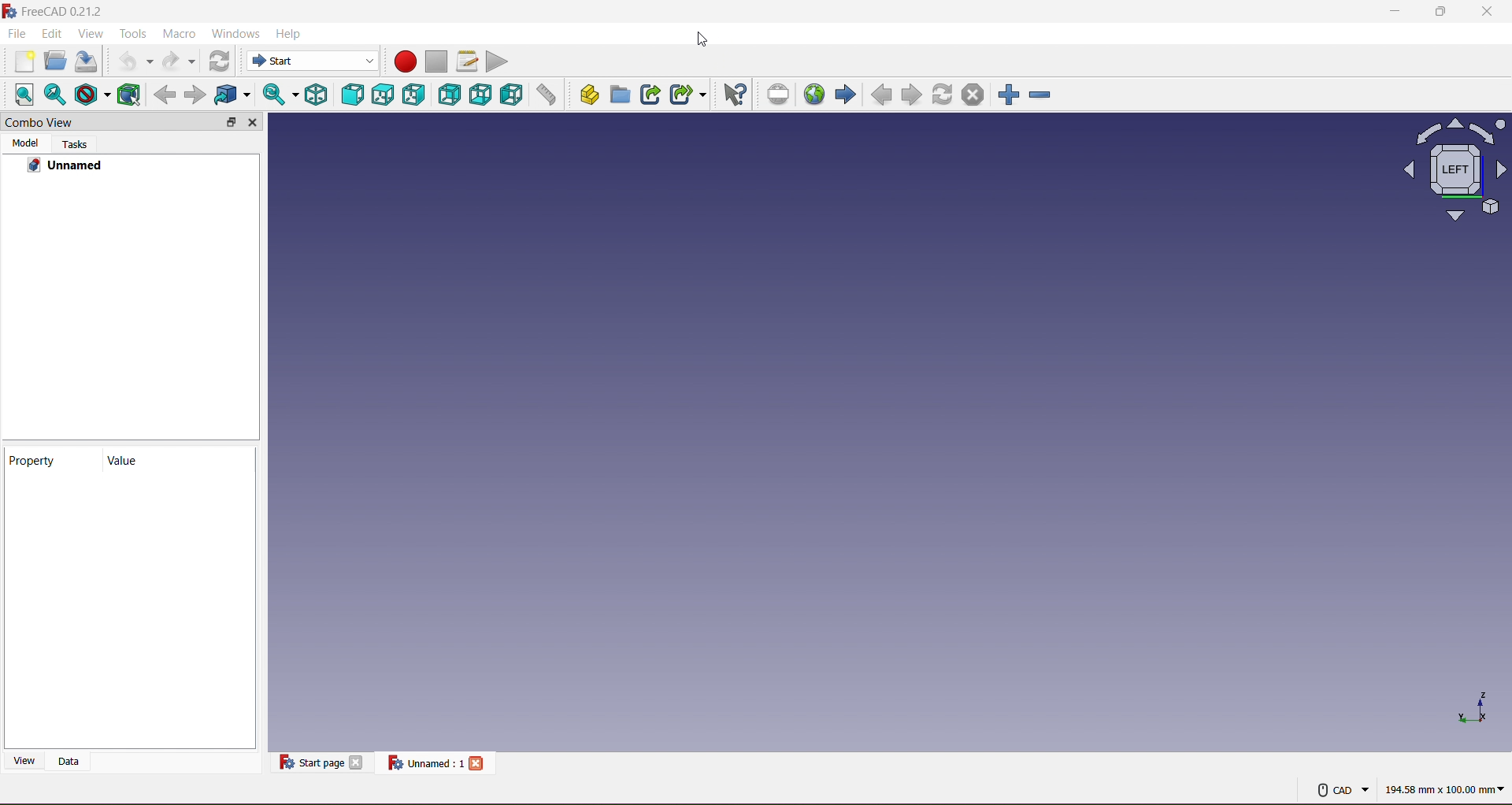 This screenshot has height=805, width=1512. What do you see at coordinates (300, 61) in the screenshot?
I see `Start` at bounding box center [300, 61].